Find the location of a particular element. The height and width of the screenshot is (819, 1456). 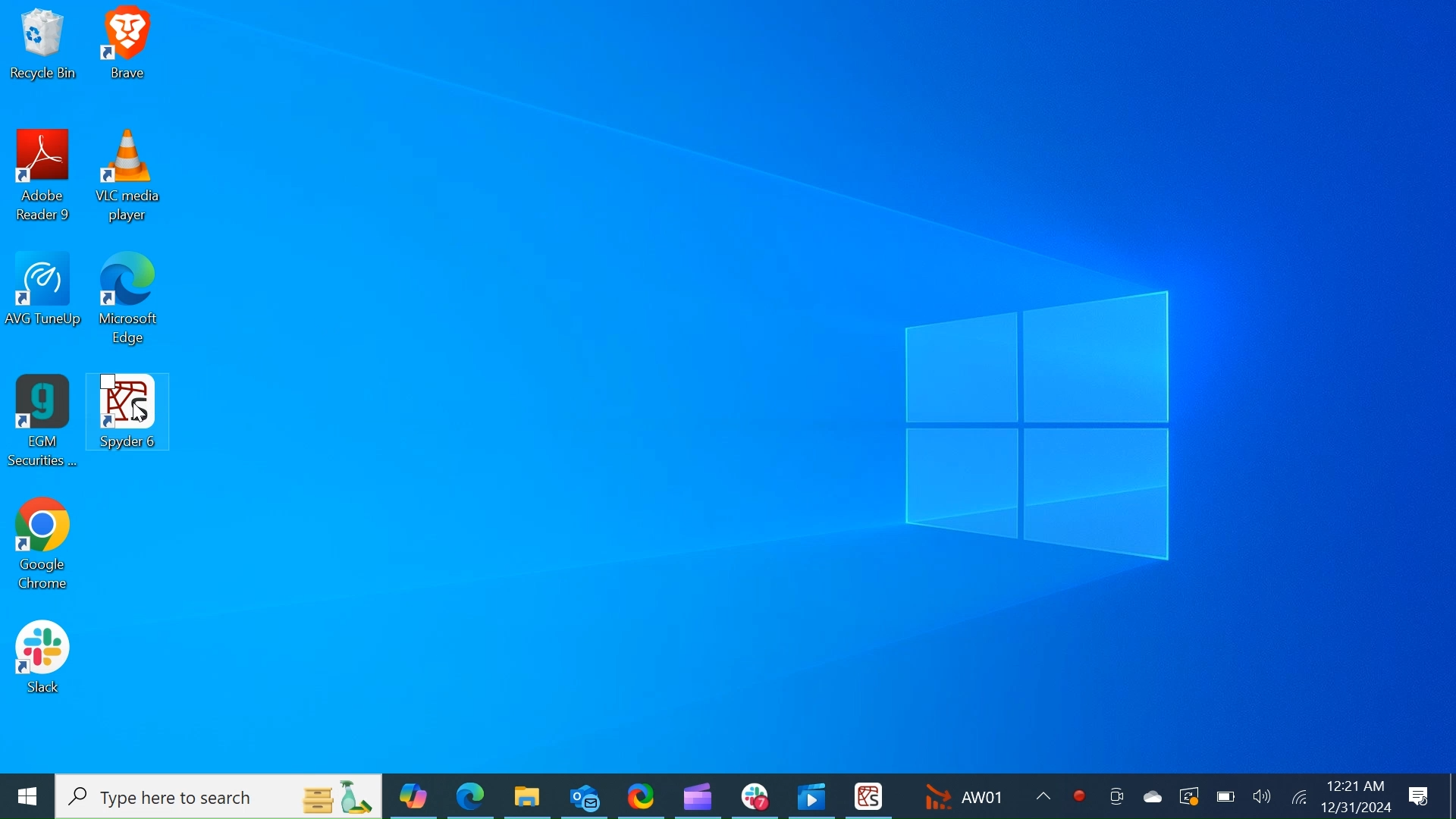

Spyder Desktop Icon is located at coordinates (127, 425).